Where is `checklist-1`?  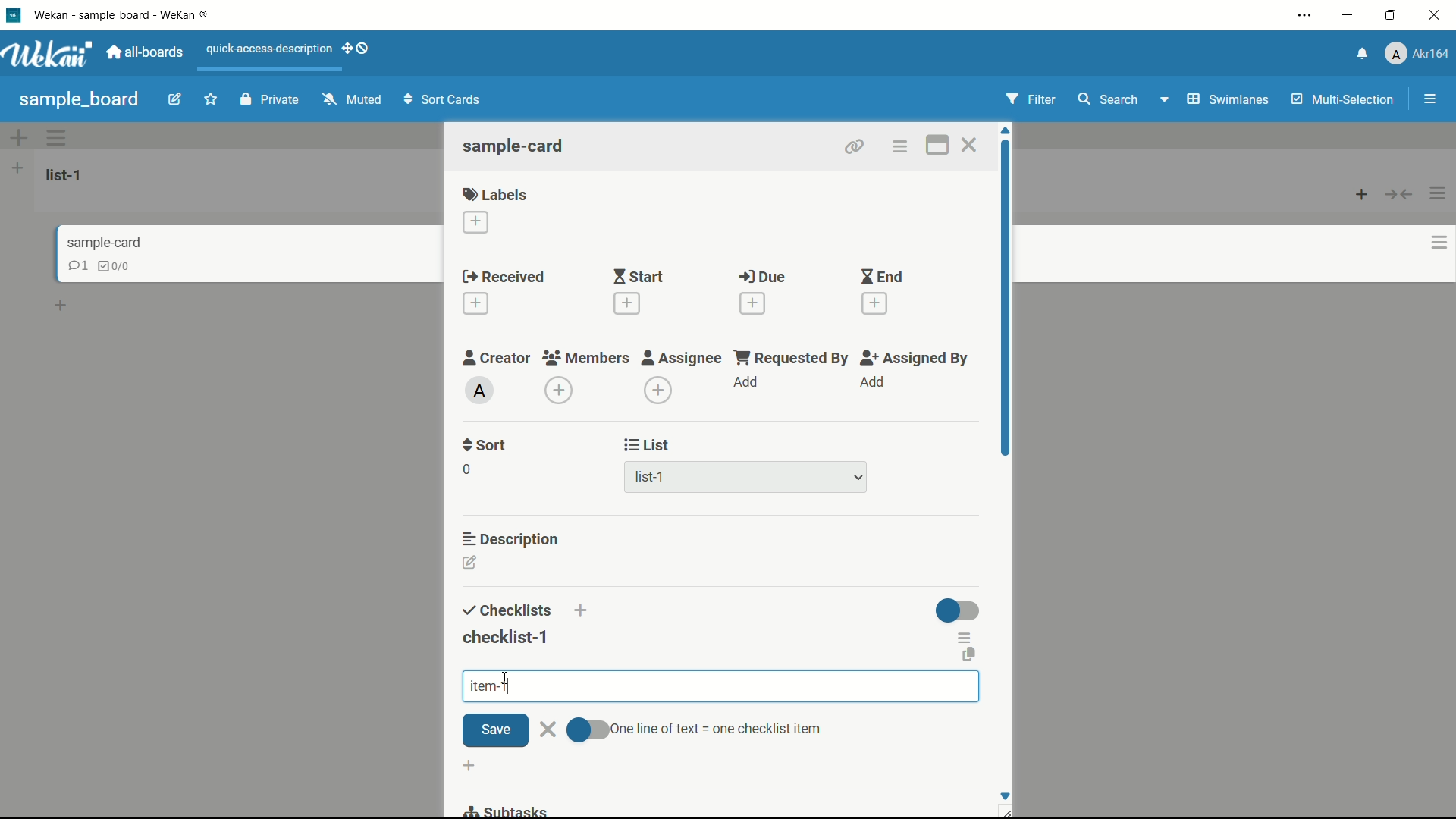 checklist-1 is located at coordinates (513, 641).